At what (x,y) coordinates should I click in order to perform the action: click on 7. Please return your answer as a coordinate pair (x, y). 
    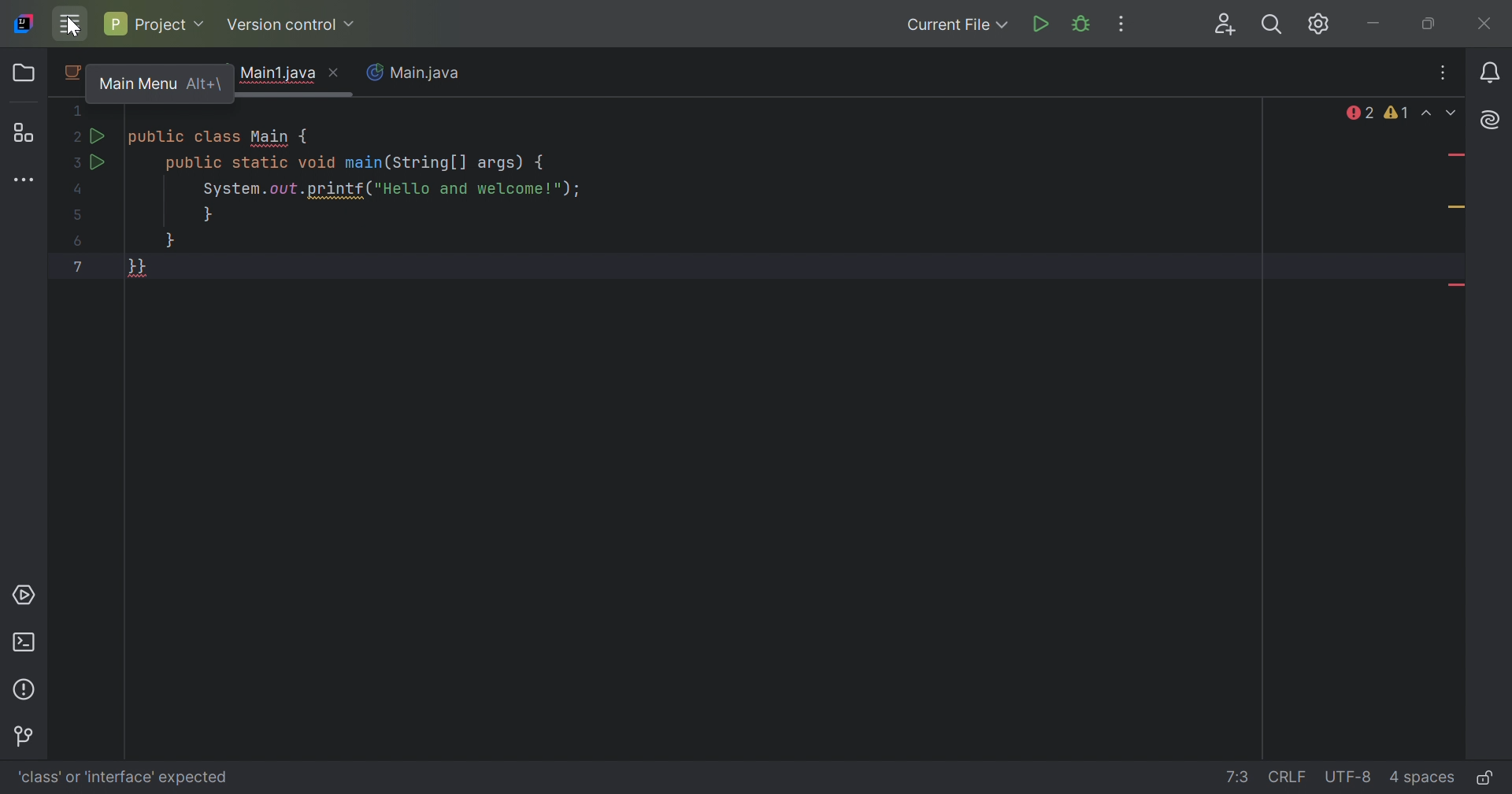
    Looking at the image, I should click on (76, 265).